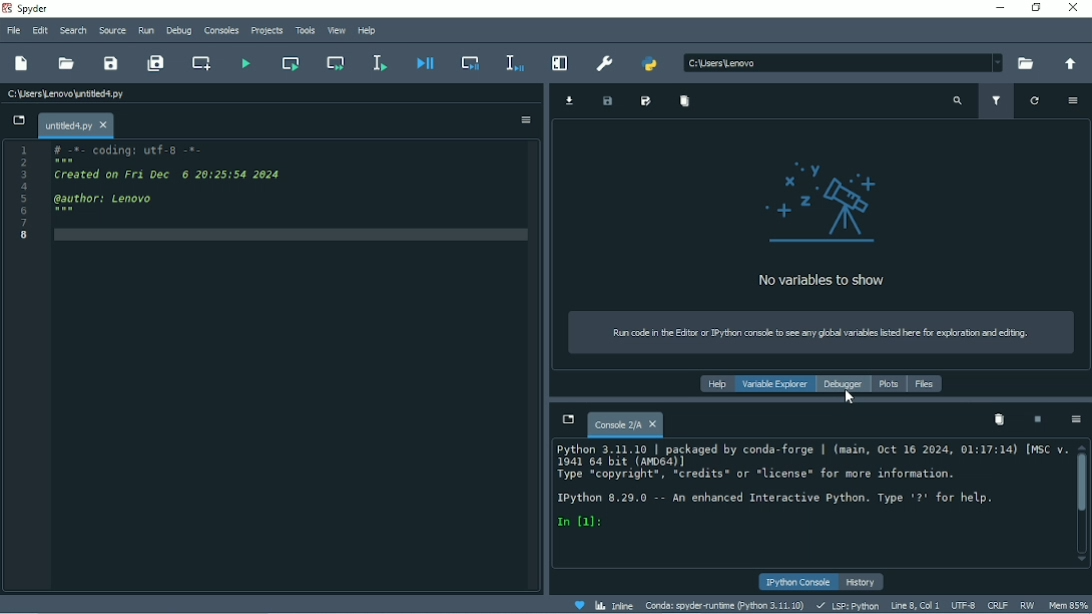  Describe the element at coordinates (1034, 101) in the screenshot. I see `Refresh variables` at that location.